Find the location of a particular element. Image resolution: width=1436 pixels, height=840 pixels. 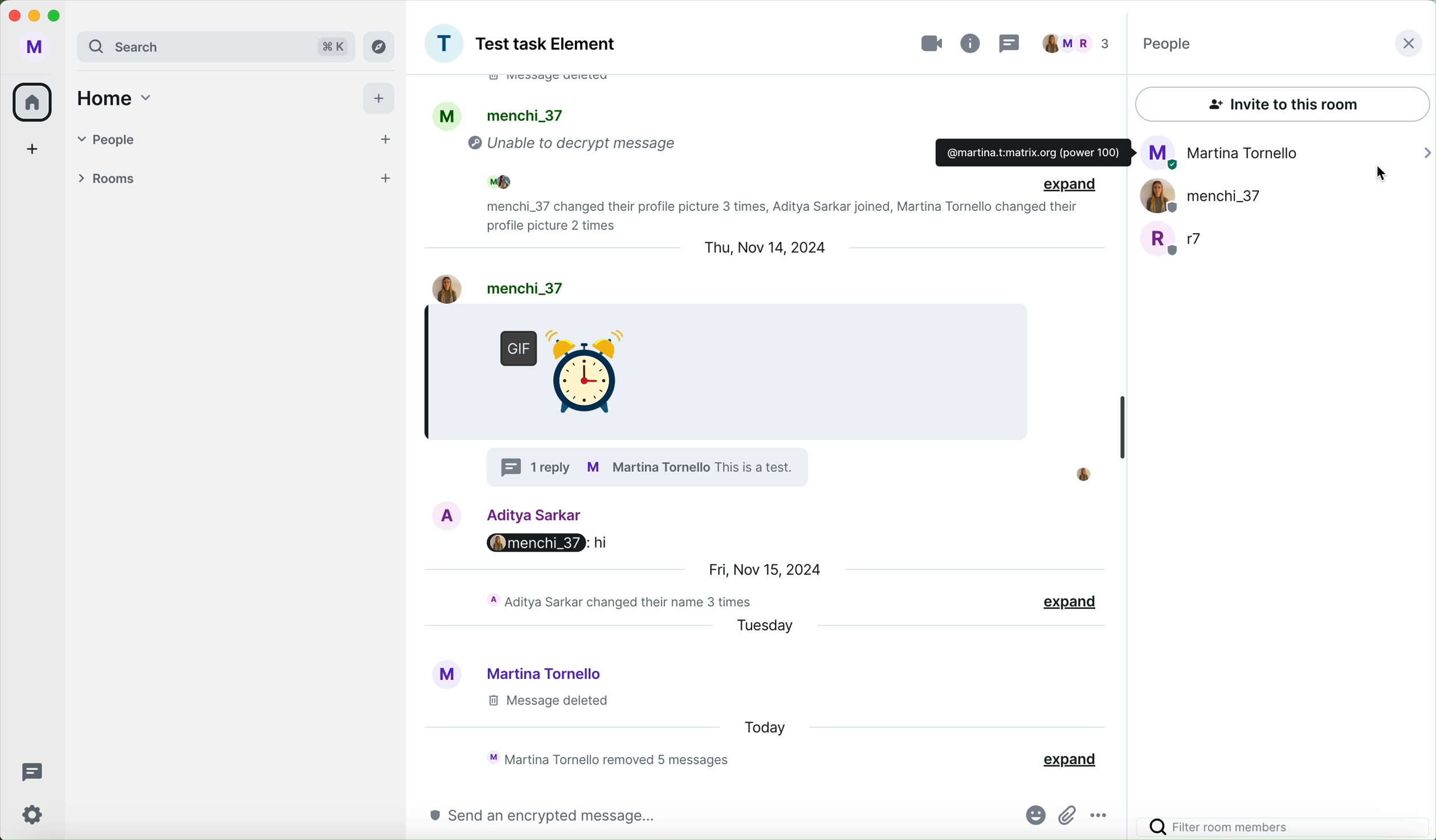

message deleted is located at coordinates (561, 83).